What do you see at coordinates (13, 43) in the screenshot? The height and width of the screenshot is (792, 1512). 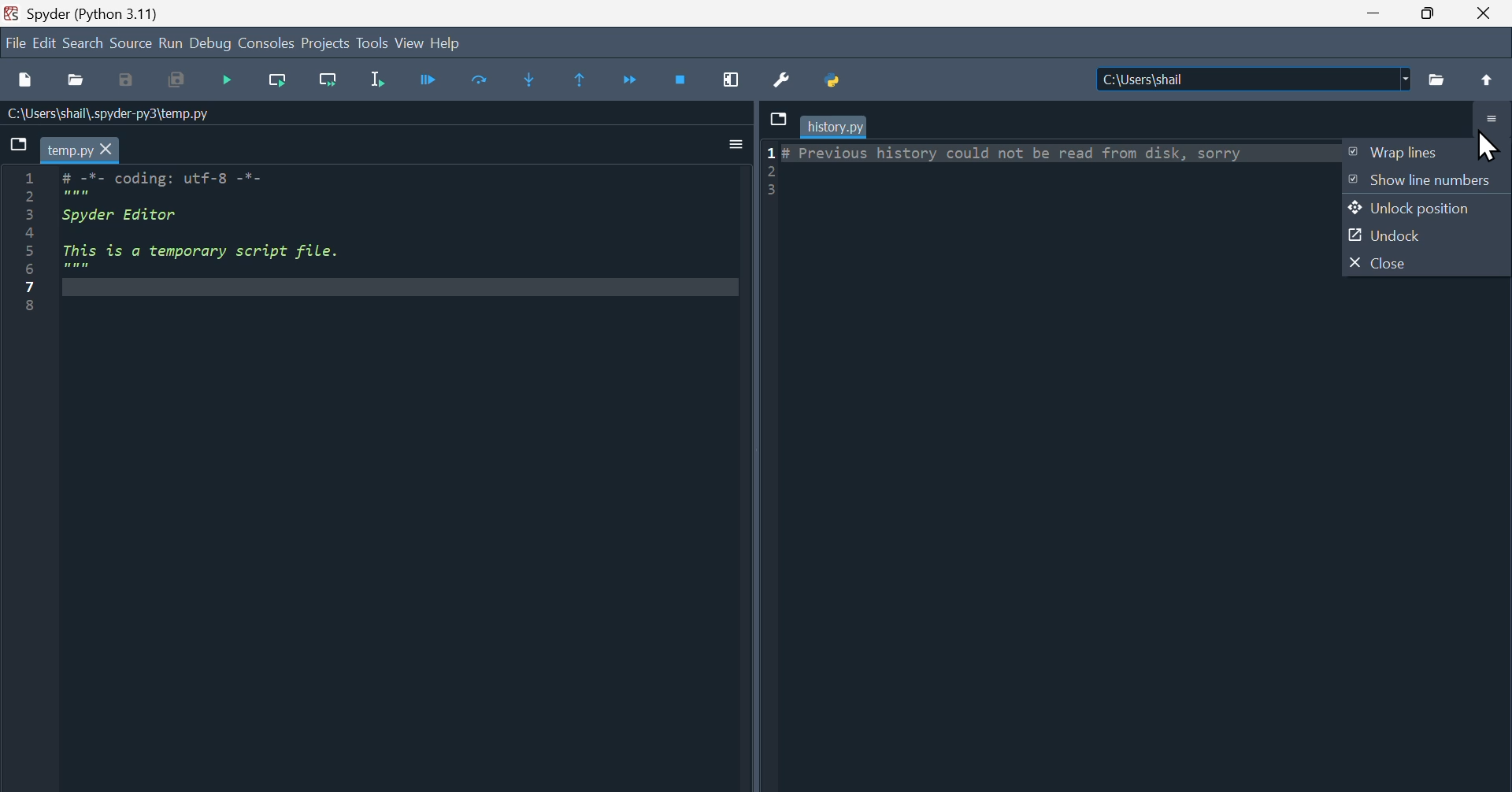 I see `File` at bounding box center [13, 43].